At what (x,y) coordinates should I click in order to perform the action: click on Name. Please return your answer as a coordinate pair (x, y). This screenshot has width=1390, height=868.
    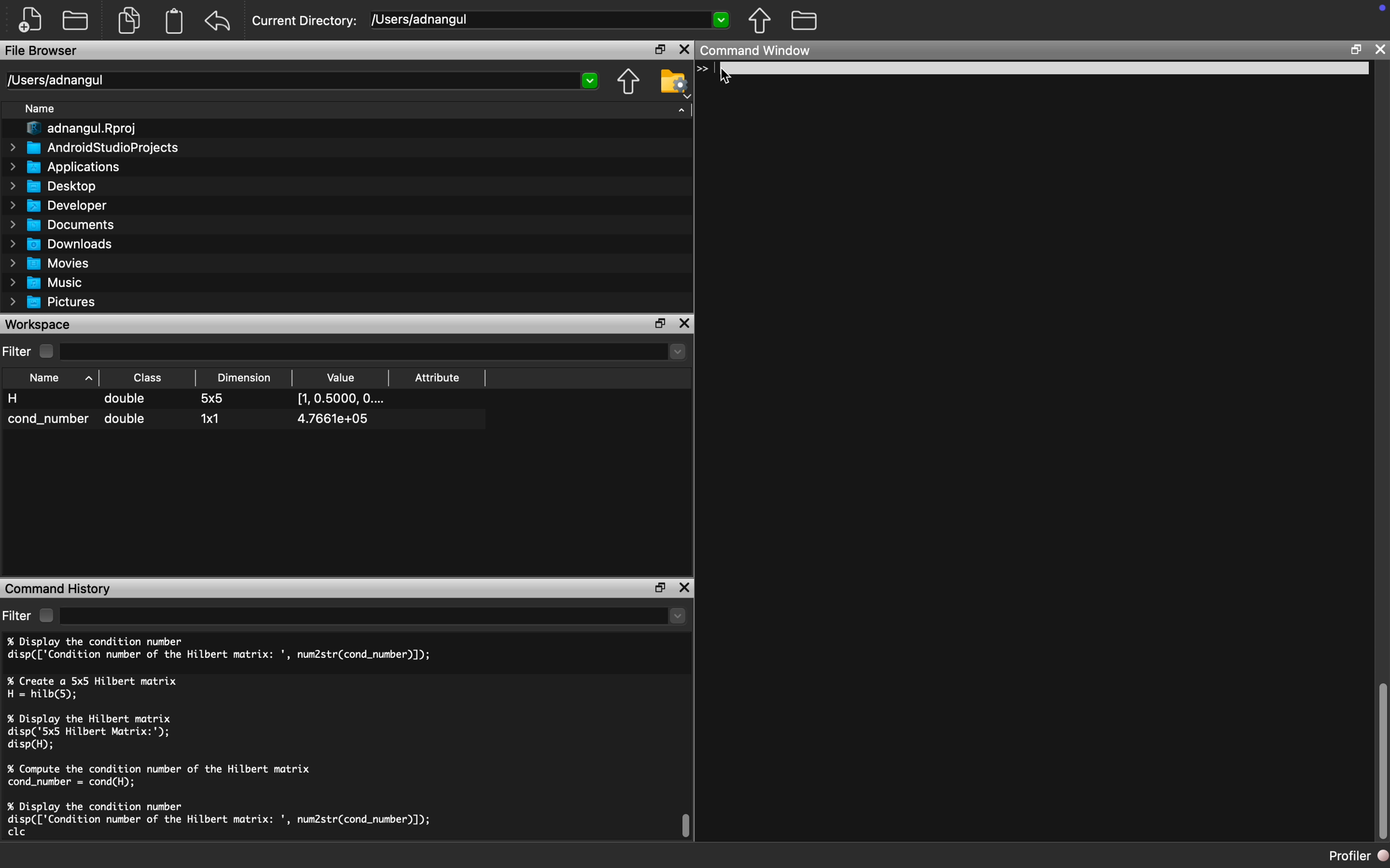
    Looking at the image, I should click on (38, 108).